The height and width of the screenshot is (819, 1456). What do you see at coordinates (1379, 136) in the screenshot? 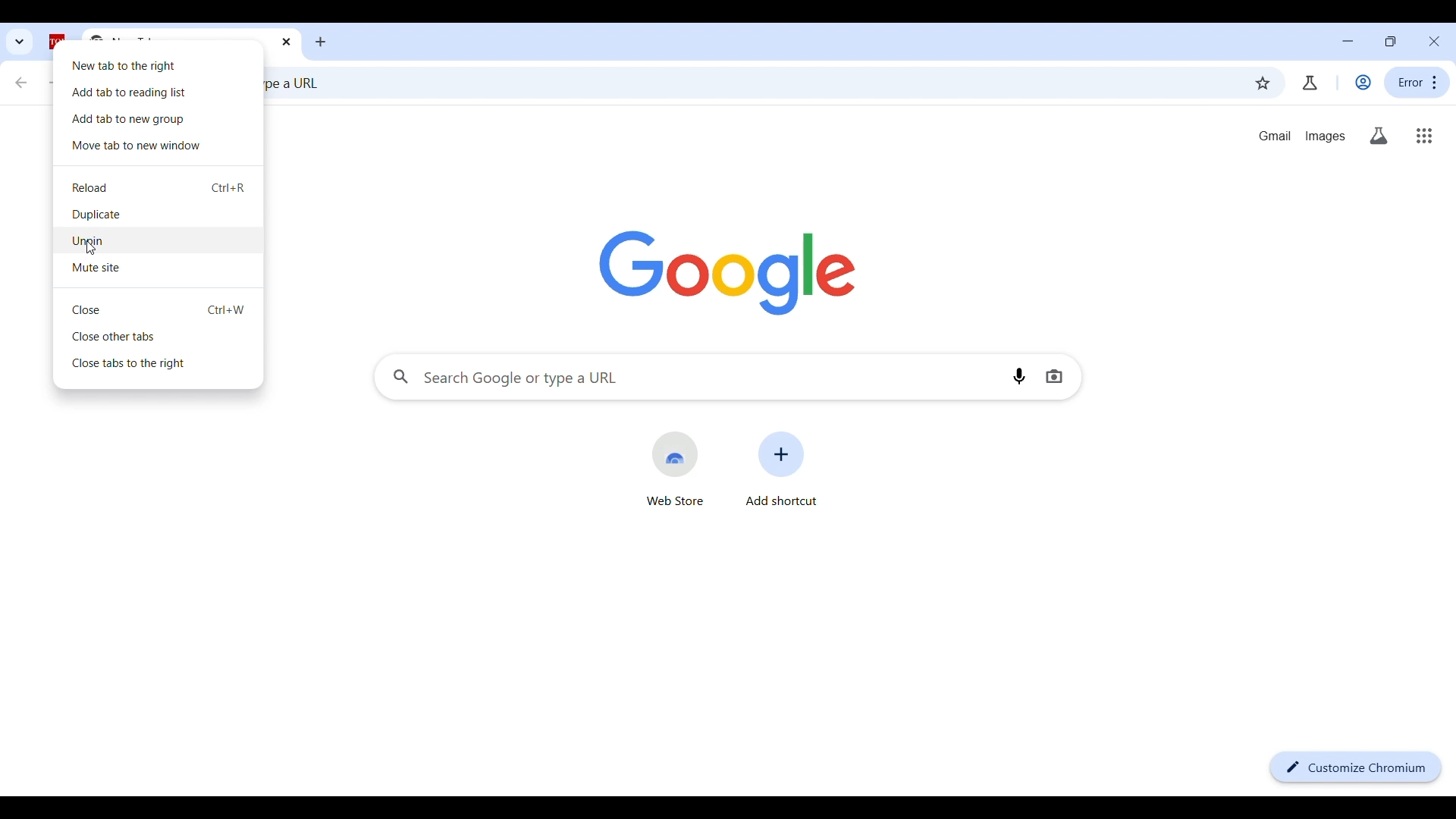
I see `Search labs` at bounding box center [1379, 136].